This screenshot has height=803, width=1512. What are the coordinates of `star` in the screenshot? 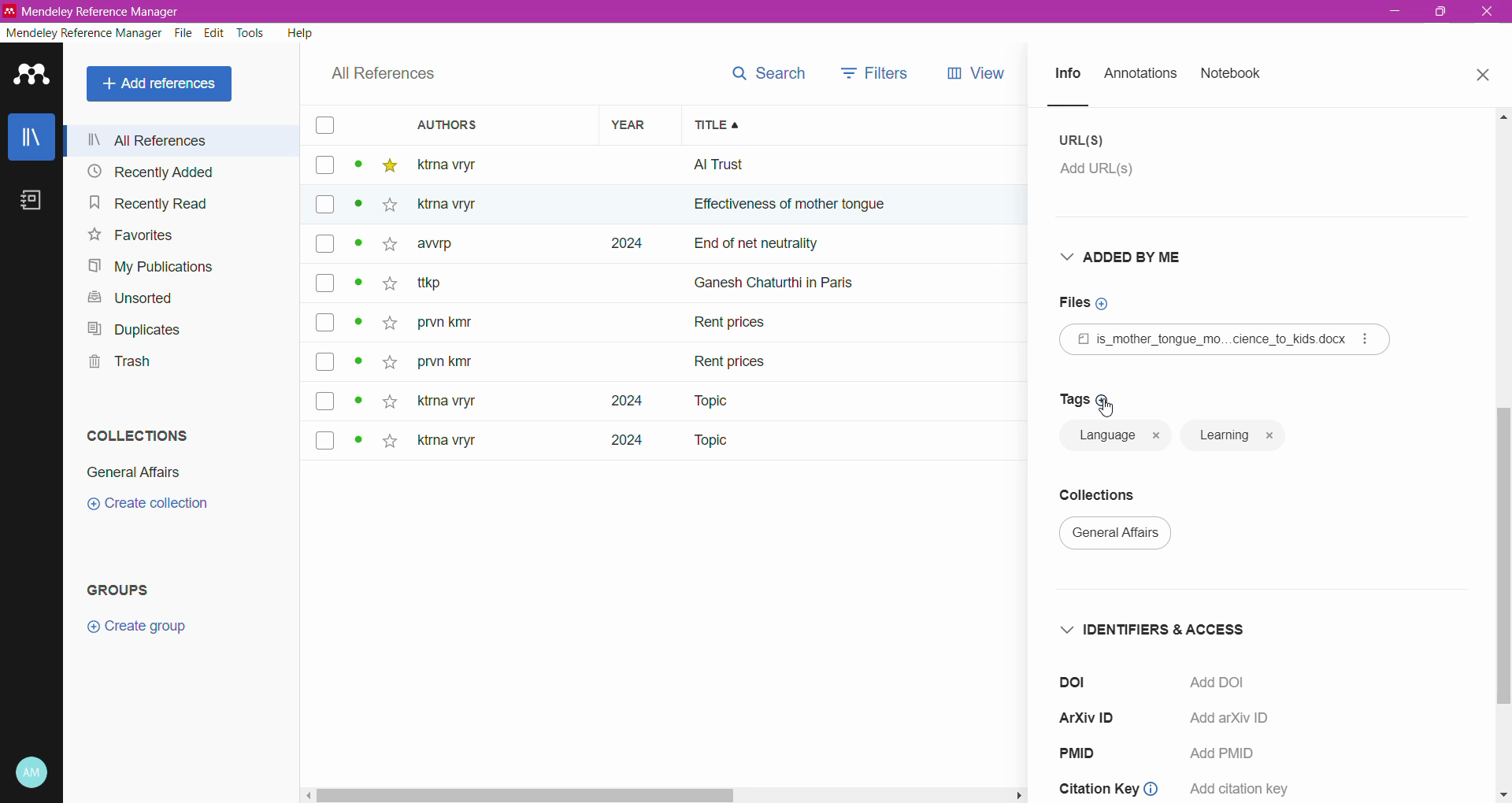 It's located at (387, 287).